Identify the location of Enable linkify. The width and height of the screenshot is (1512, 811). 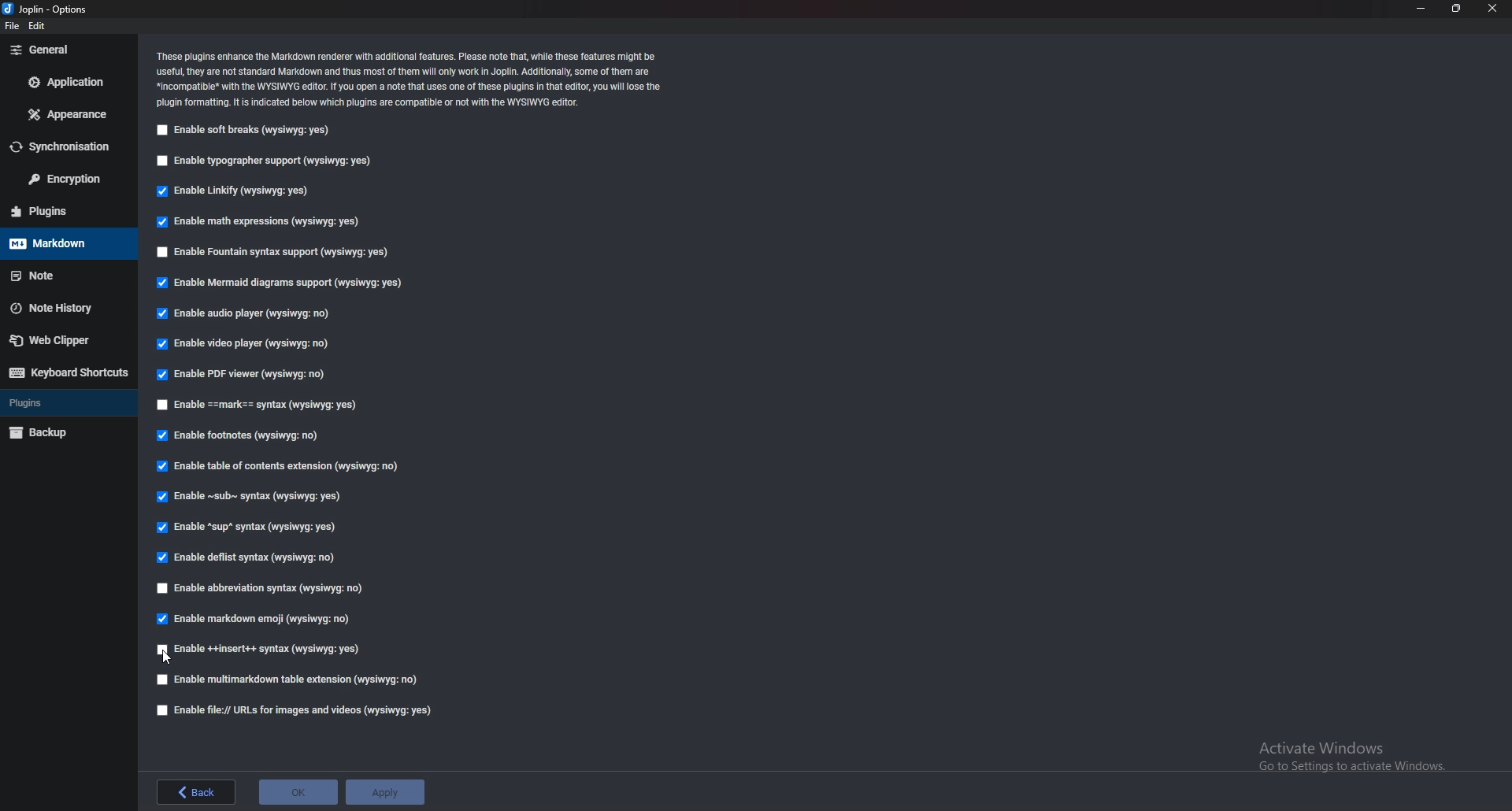
(233, 193).